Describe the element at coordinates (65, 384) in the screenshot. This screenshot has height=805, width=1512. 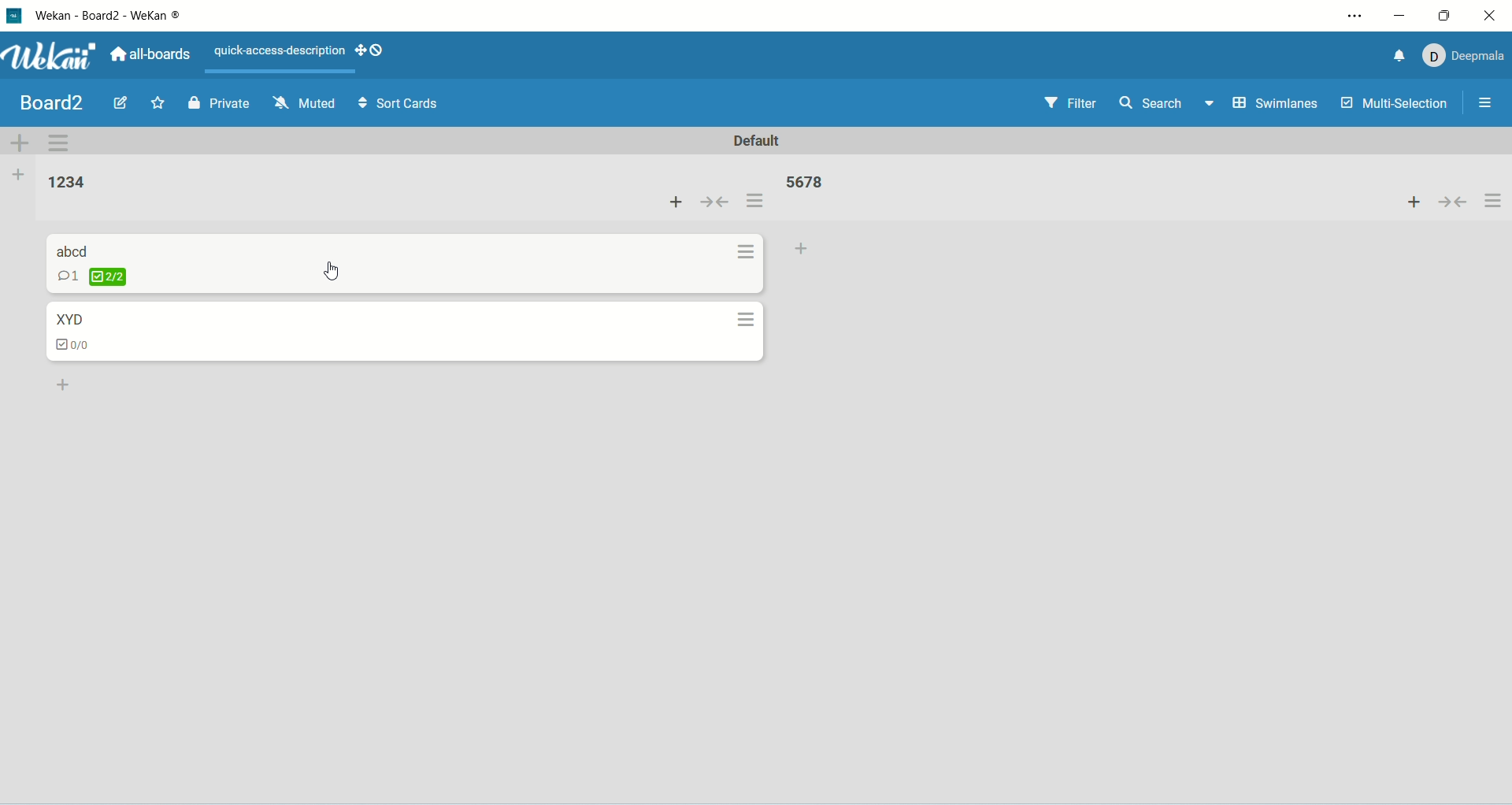
I see `add` at that location.